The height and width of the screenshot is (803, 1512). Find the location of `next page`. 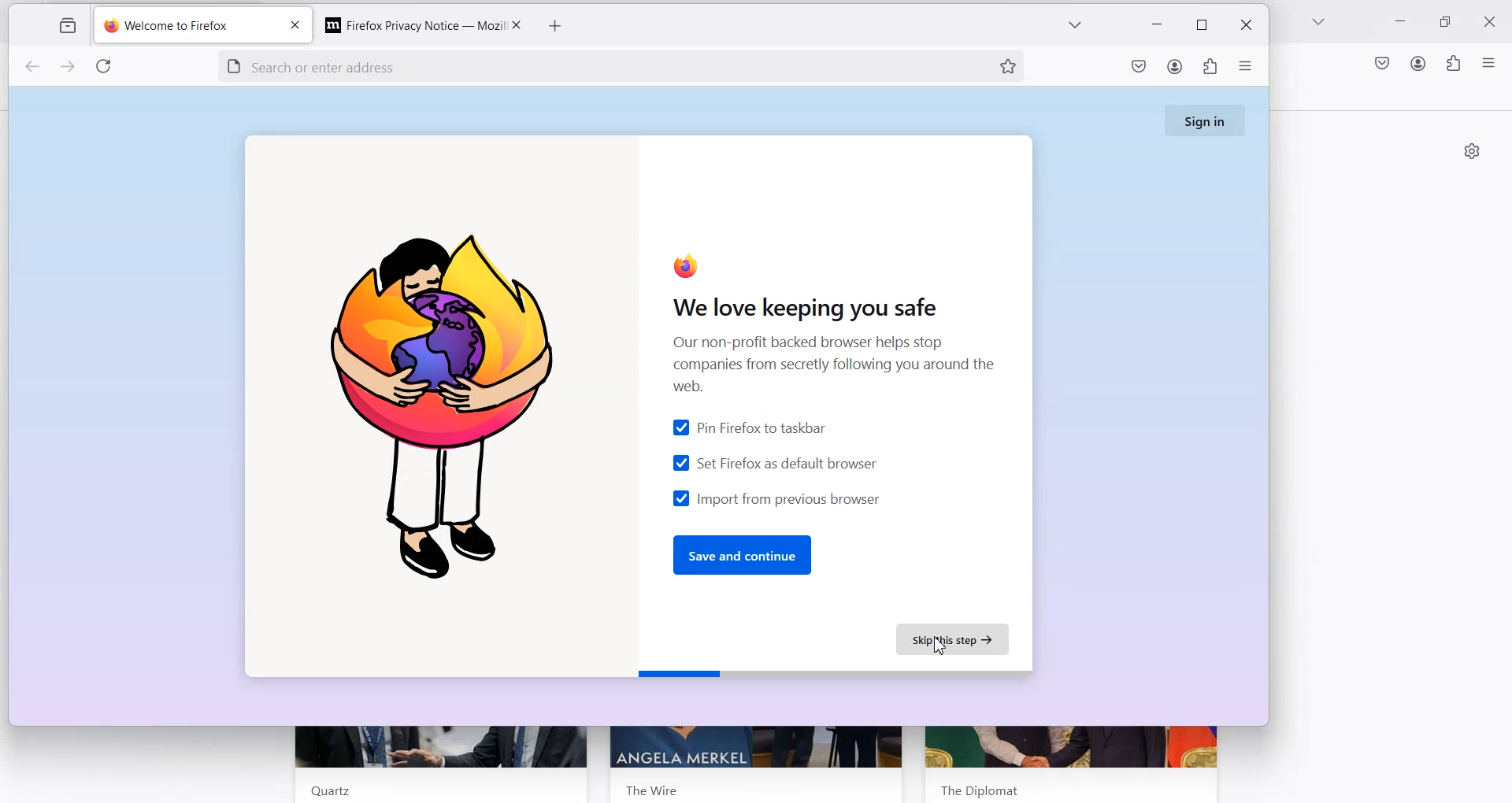

next page is located at coordinates (69, 68).